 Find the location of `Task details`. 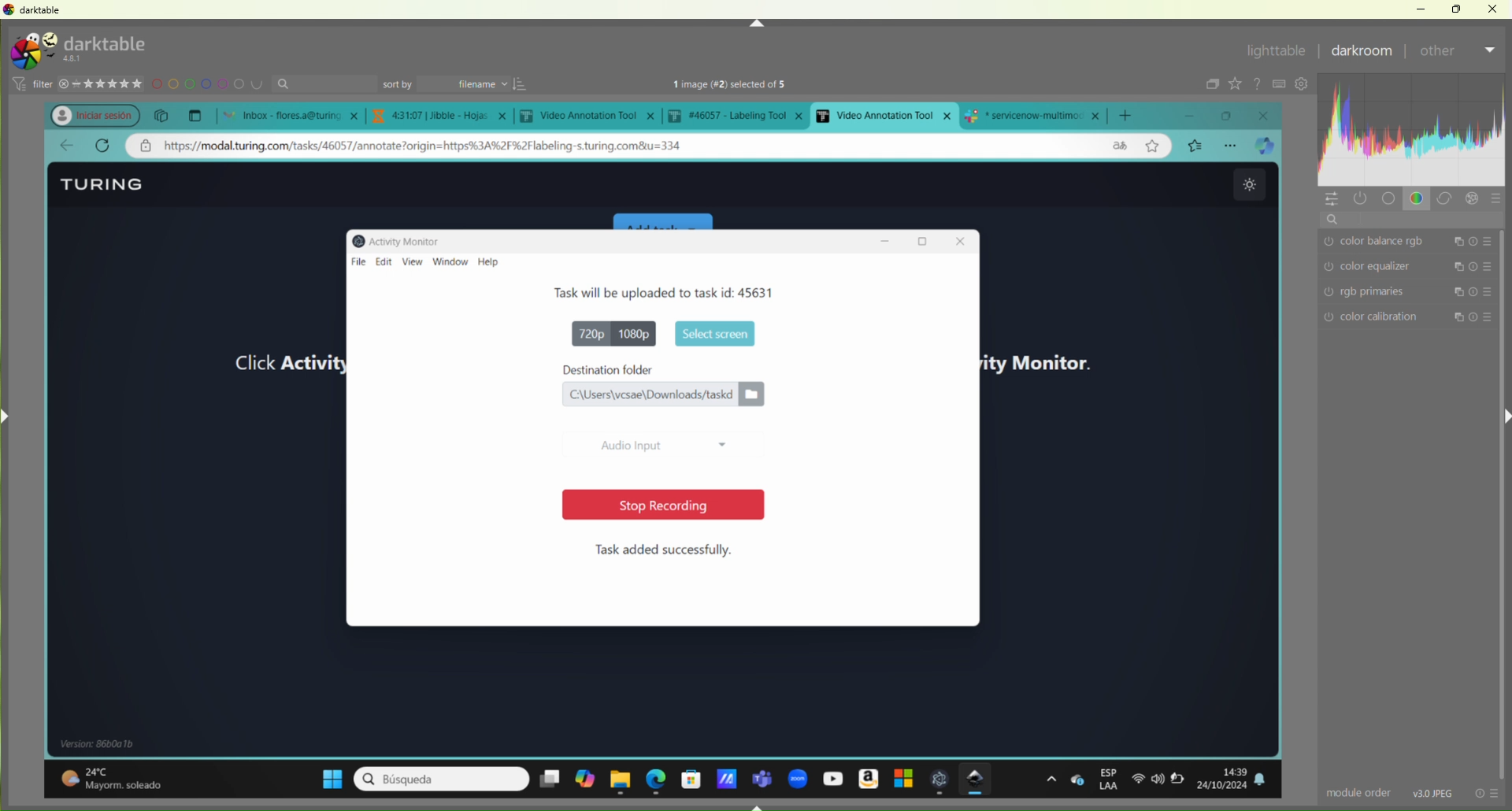

Task details is located at coordinates (619, 292).